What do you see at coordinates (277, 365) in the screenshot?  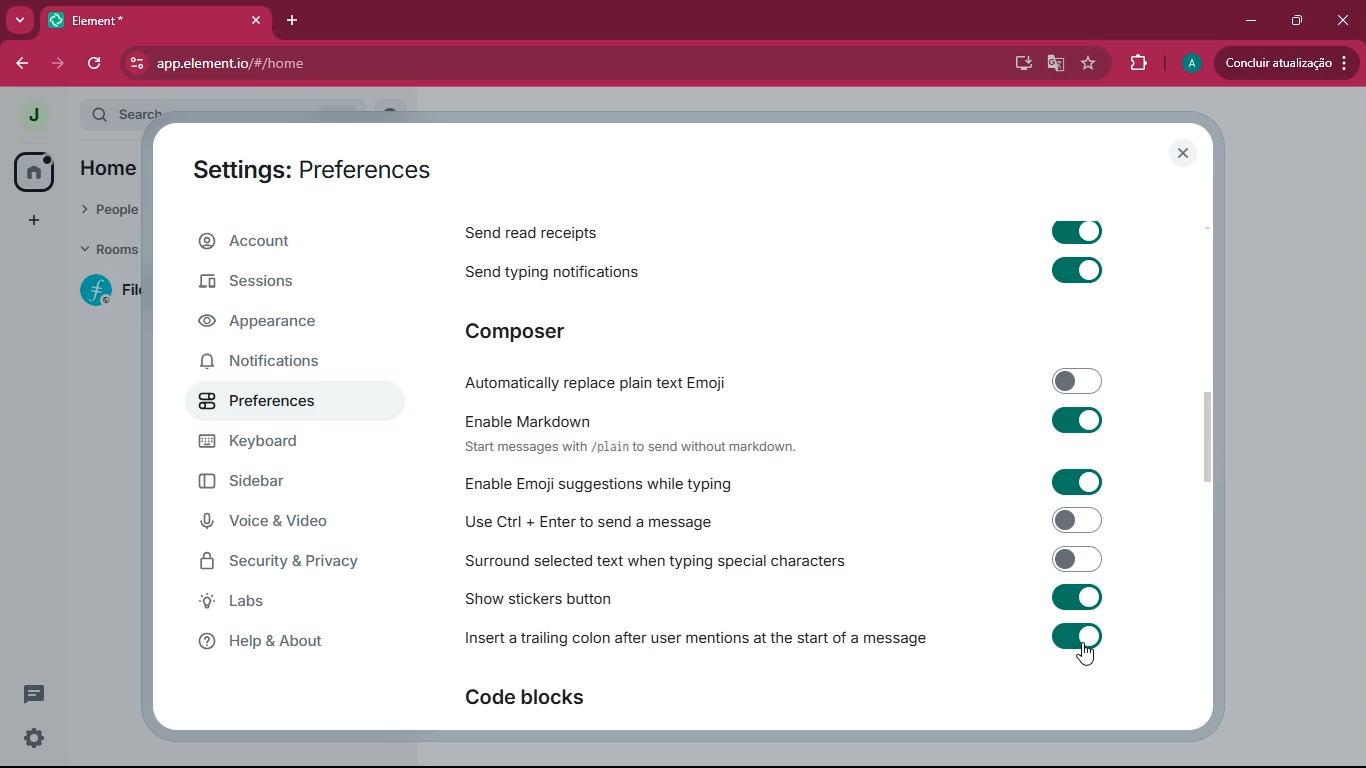 I see `notifications` at bounding box center [277, 365].